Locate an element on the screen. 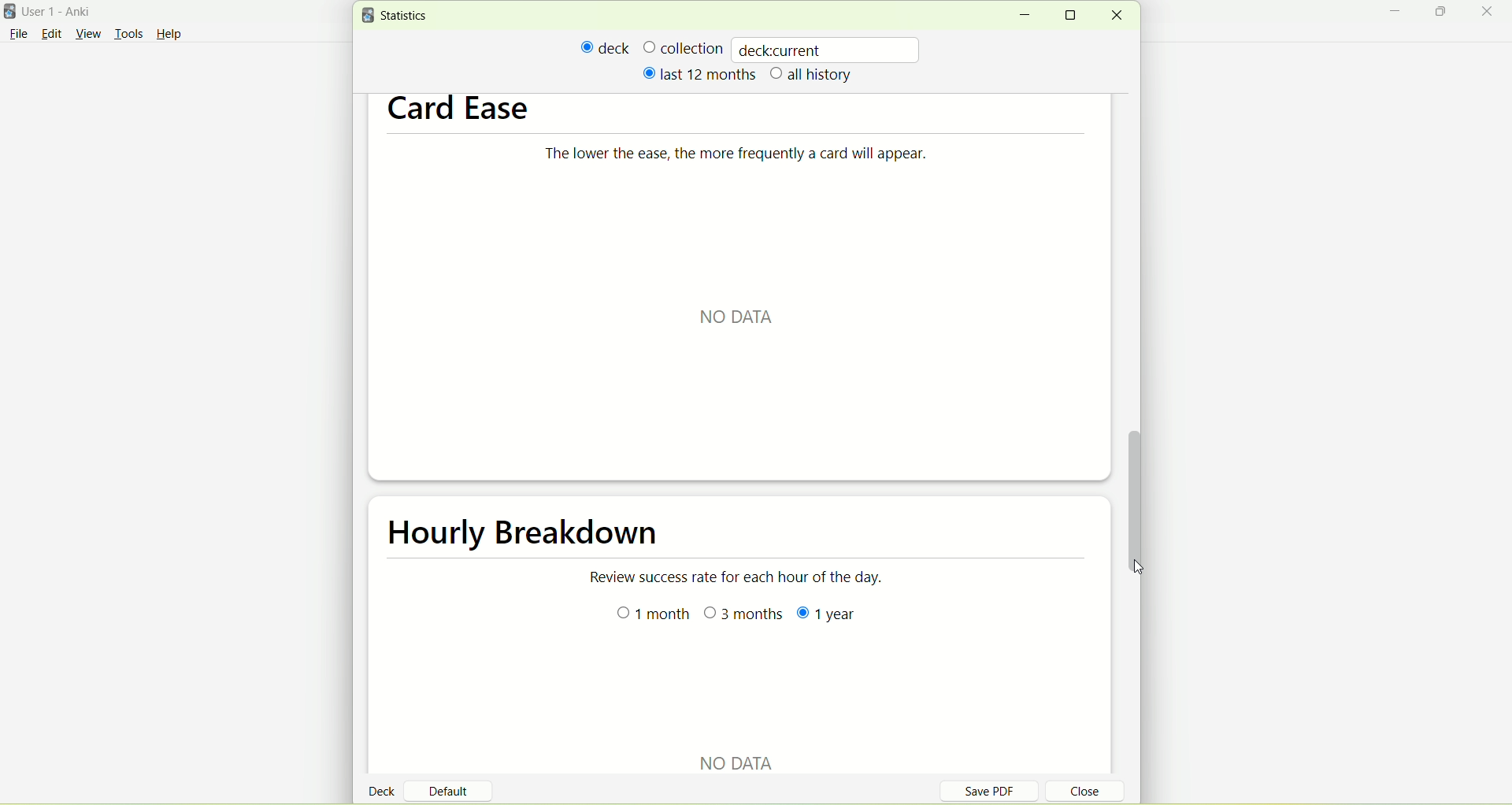 The height and width of the screenshot is (805, 1512). 3 months is located at coordinates (743, 616).